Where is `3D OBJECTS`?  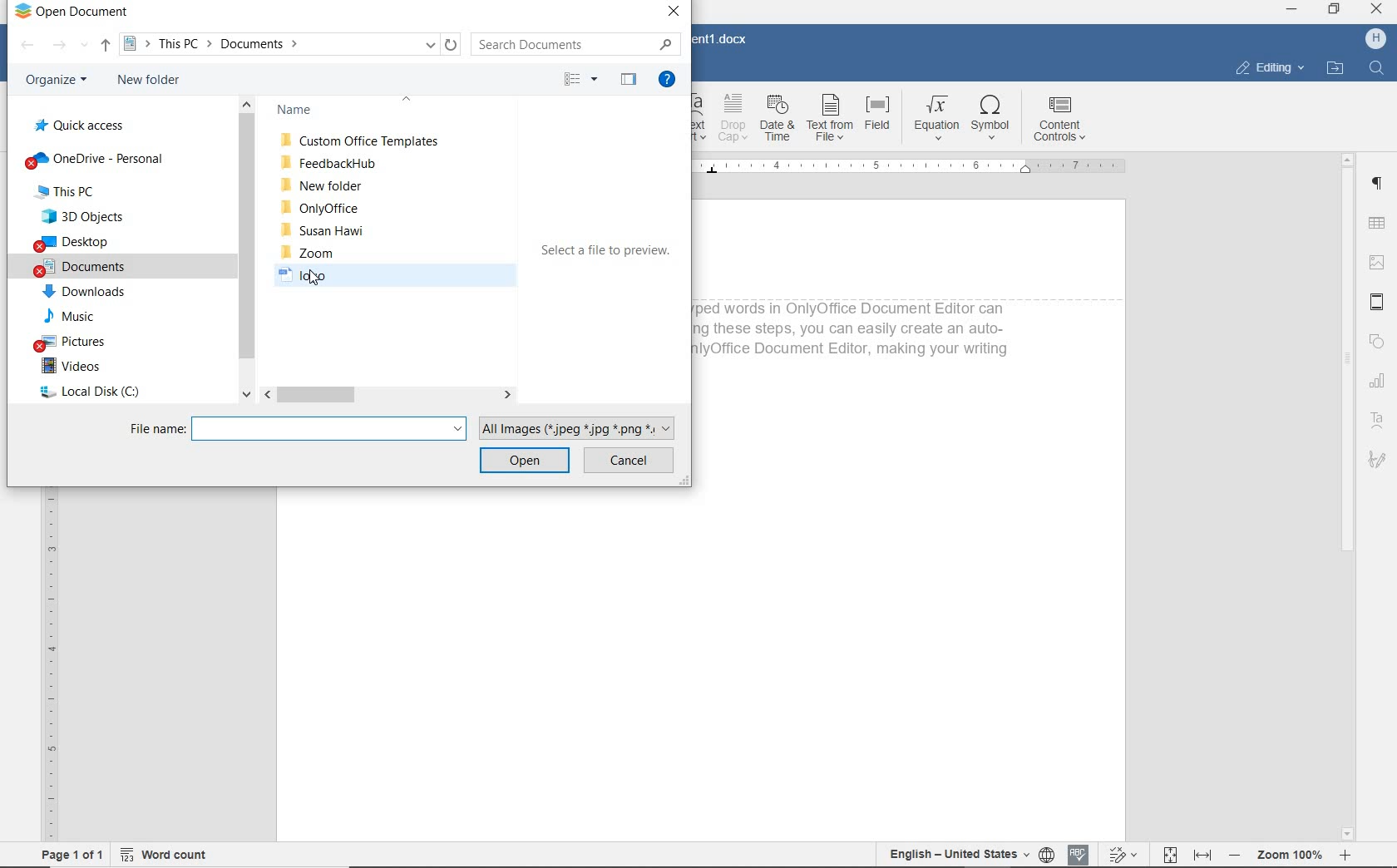 3D OBJECTS is located at coordinates (81, 217).